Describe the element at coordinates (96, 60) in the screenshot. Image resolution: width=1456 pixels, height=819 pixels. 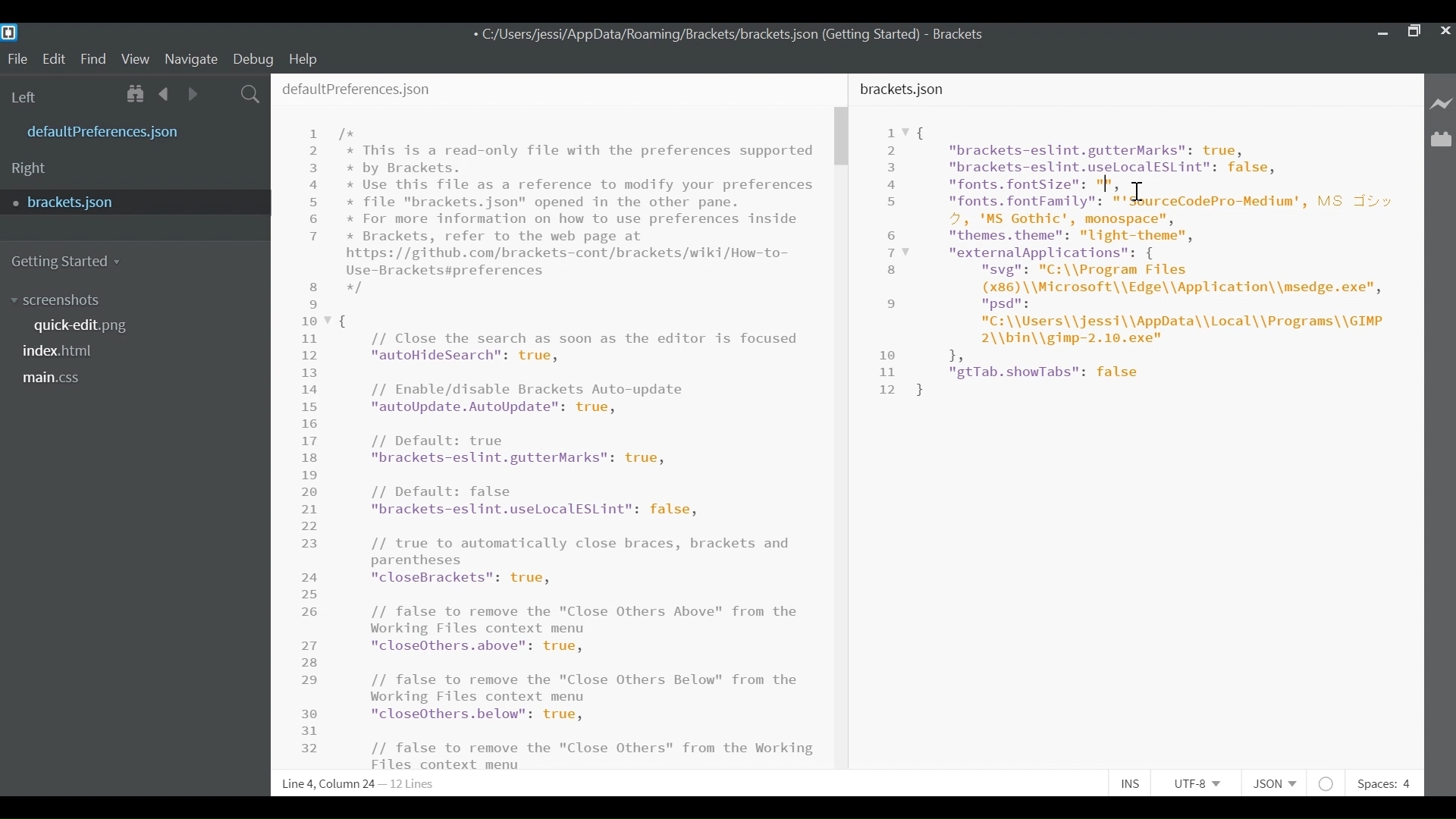
I see `Find` at that location.